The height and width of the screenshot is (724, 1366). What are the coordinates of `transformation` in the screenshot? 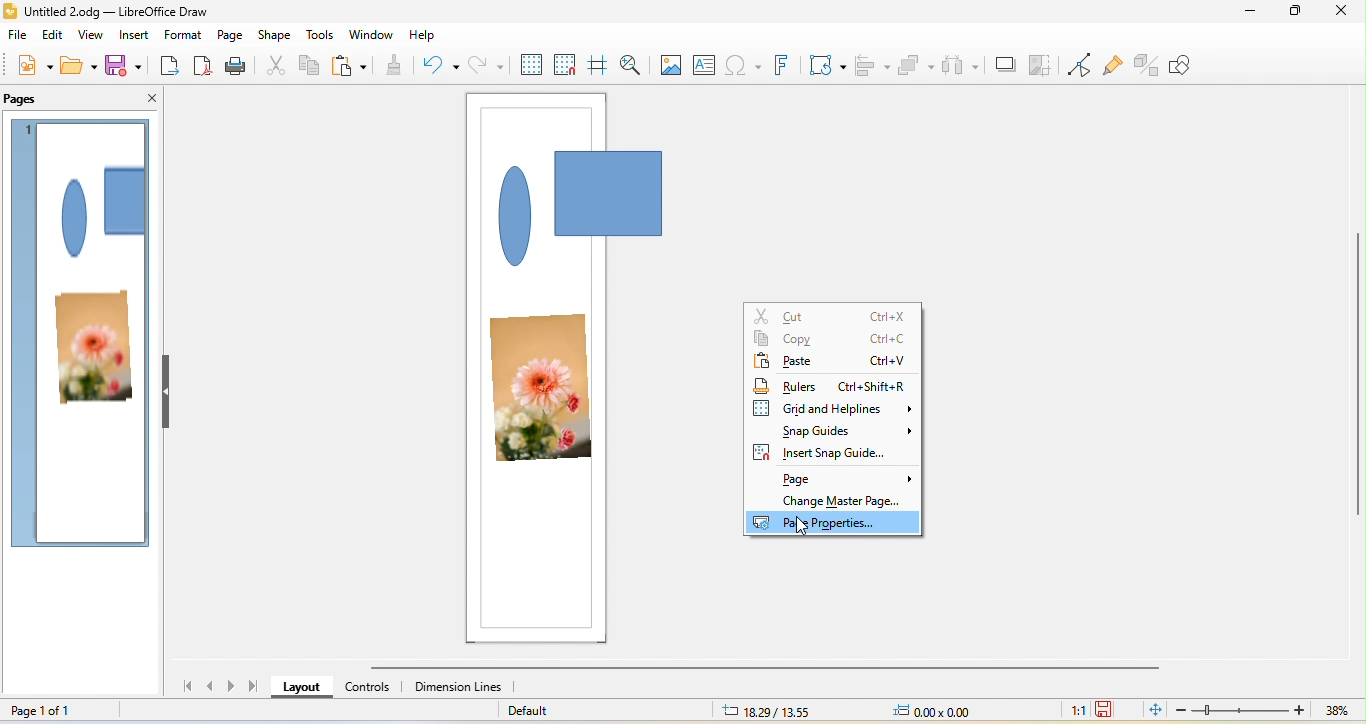 It's located at (829, 65).